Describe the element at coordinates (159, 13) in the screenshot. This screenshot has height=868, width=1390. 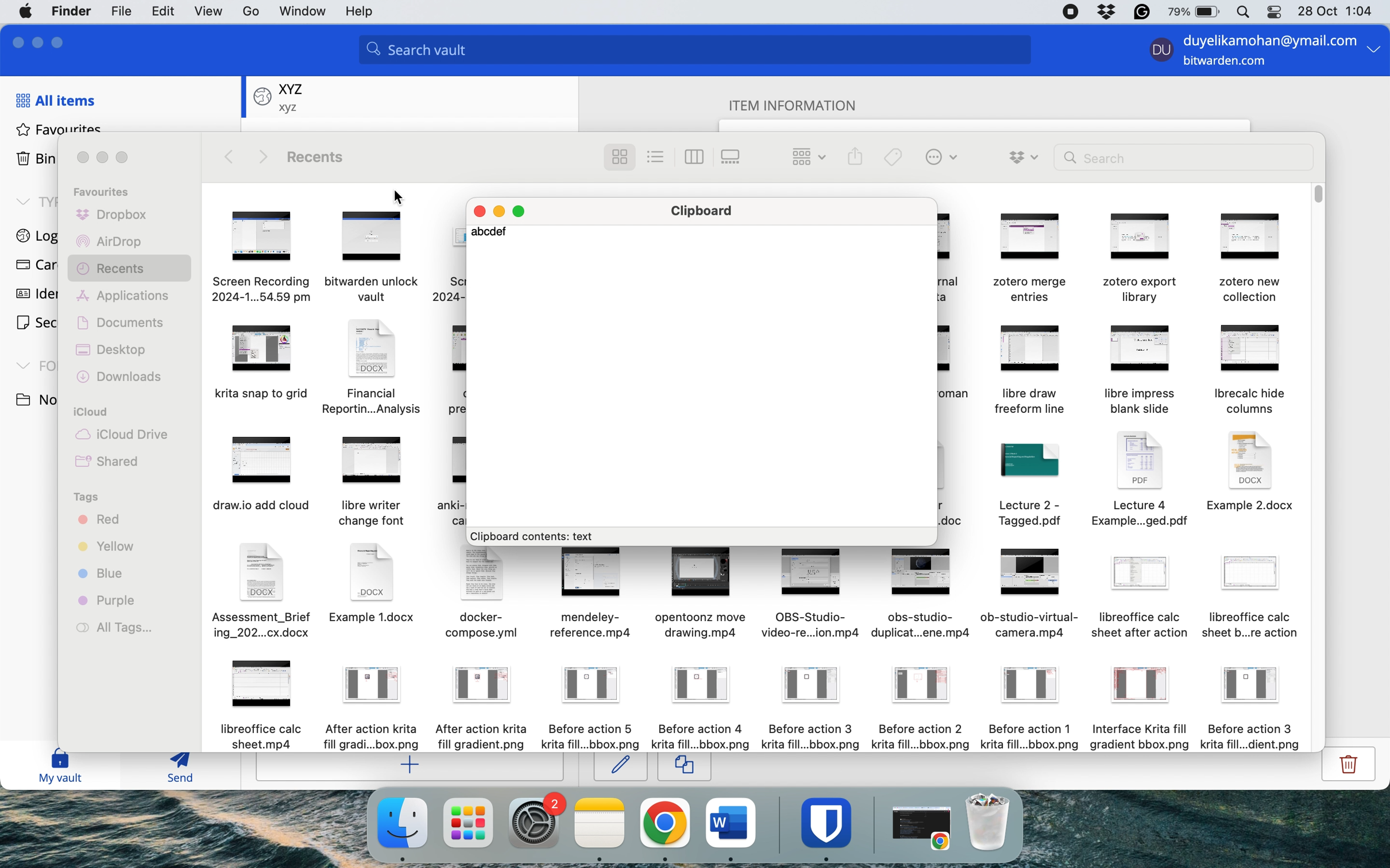
I see `edit` at that location.